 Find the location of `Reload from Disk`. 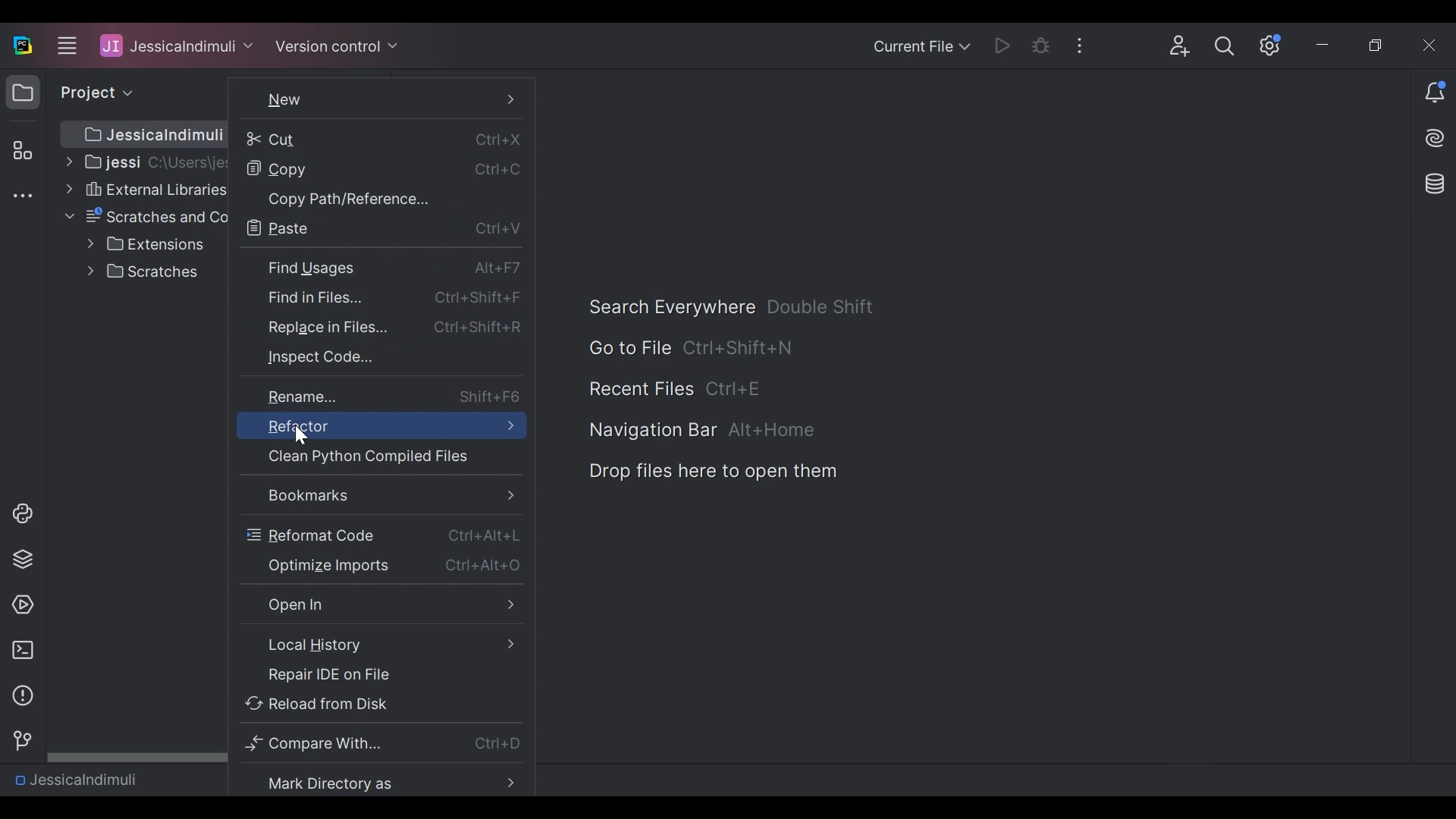

Reload from Disk is located at coordinates (381, 702).